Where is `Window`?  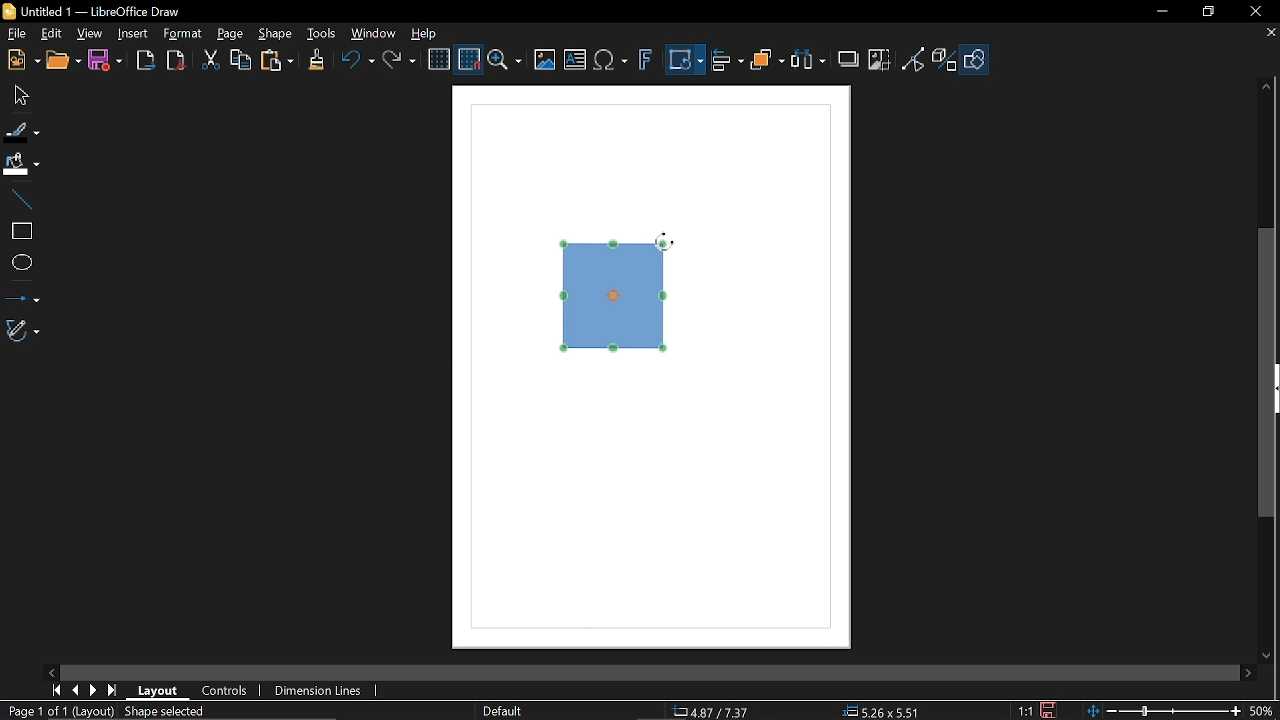
Window is located at coordinates (374, 33).